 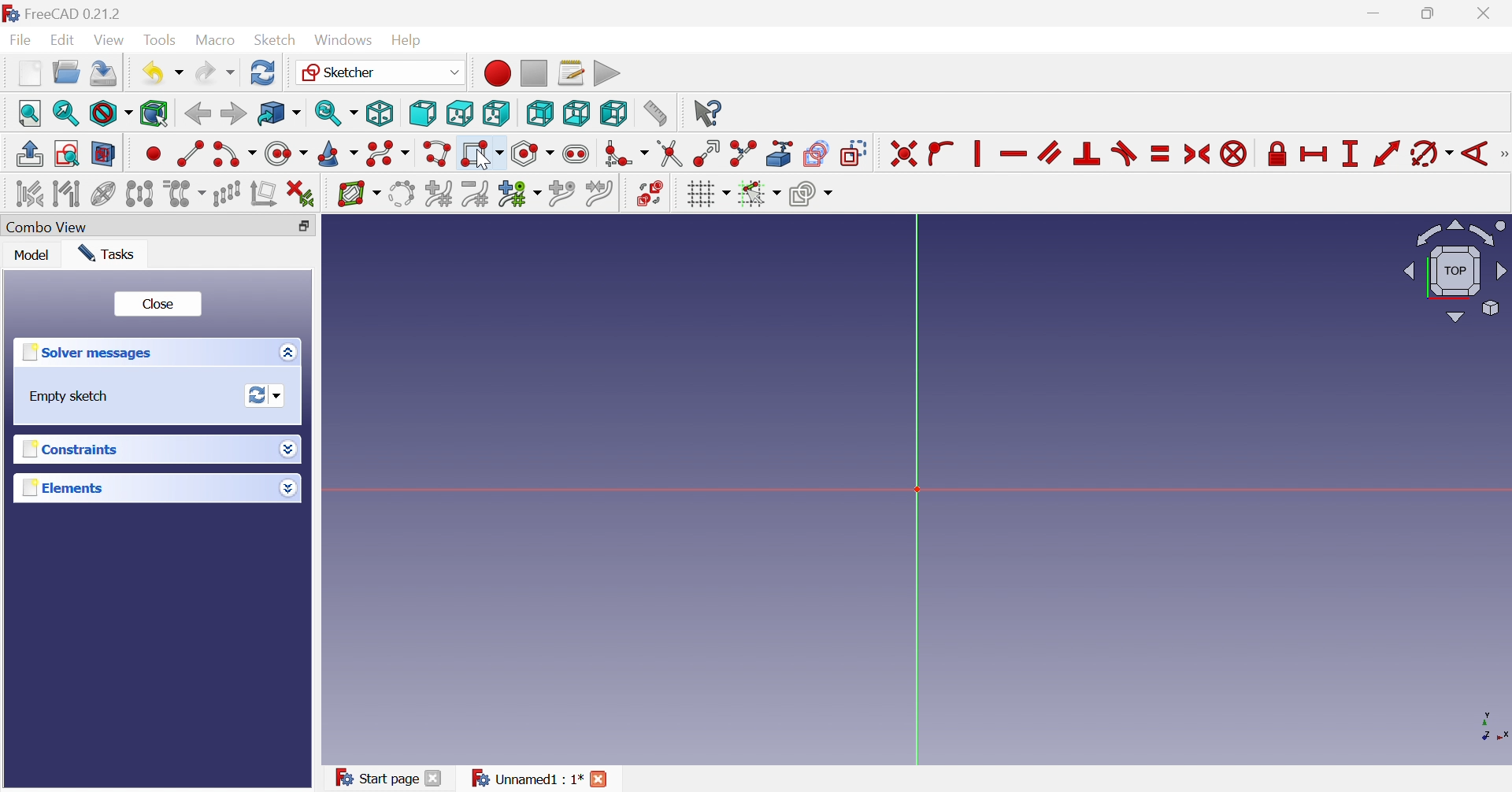 I want to click on Constraints, so click(x=67, y=451).